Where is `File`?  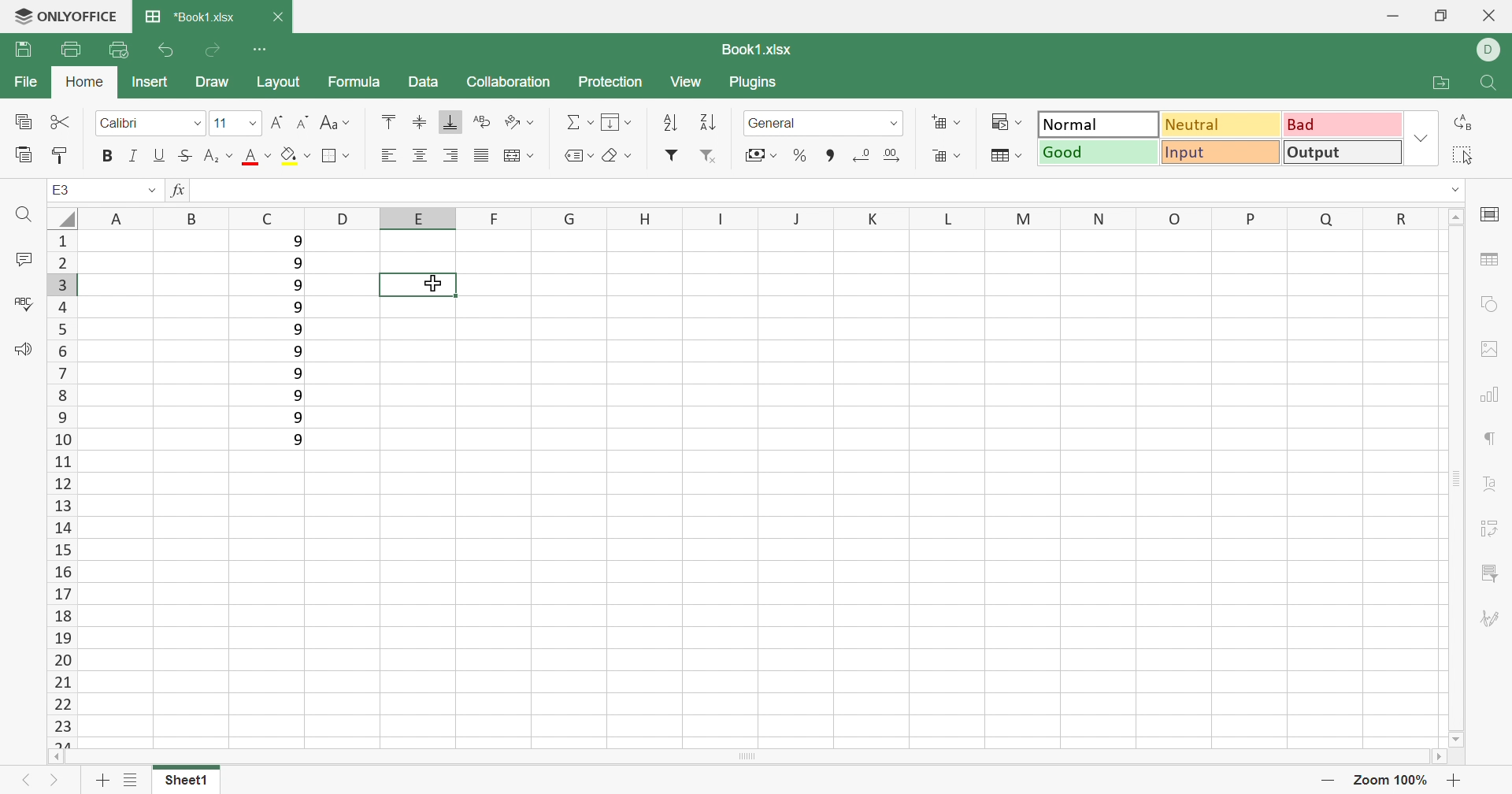 File is located at coordinates (30, 82).